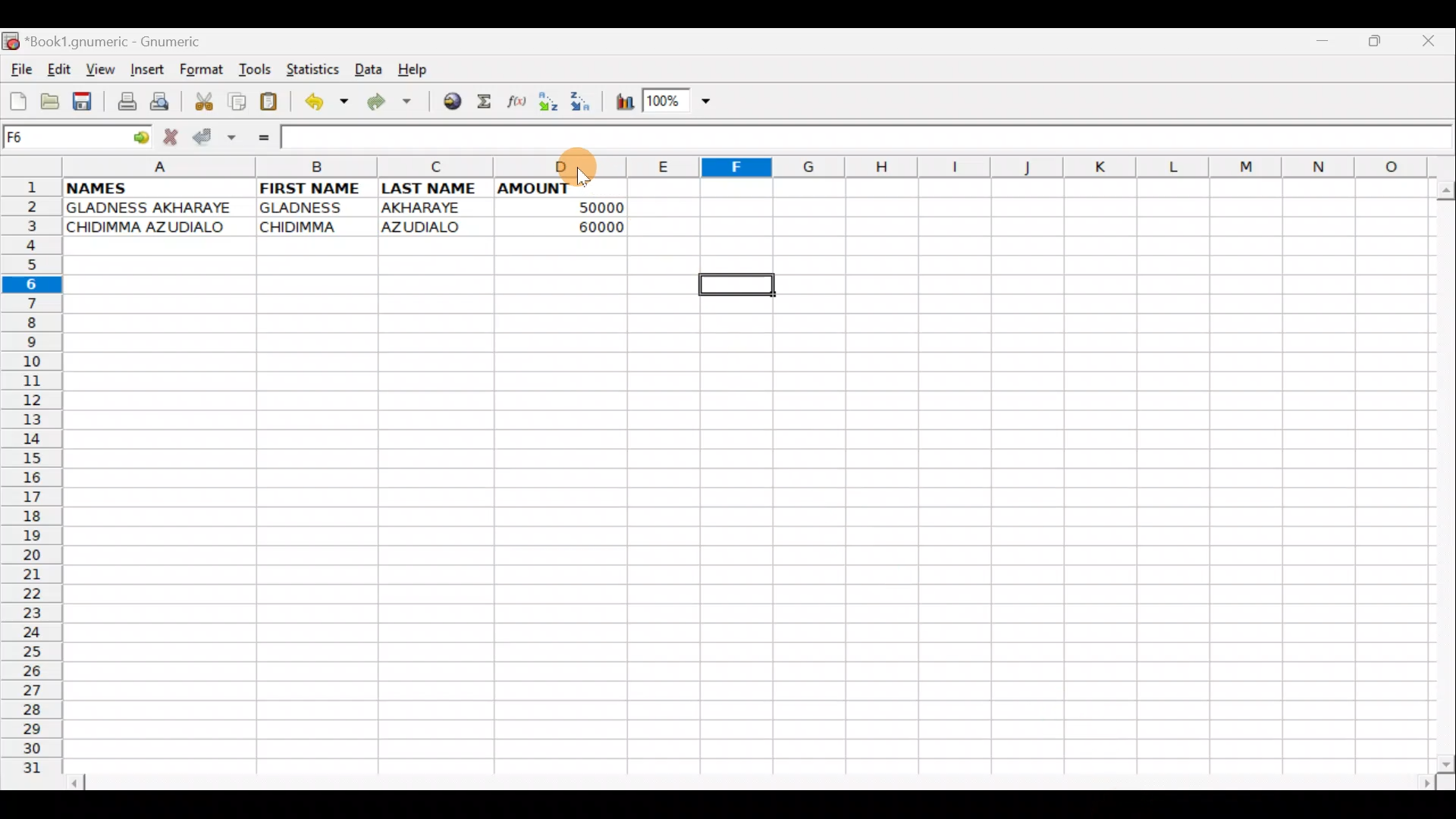  I want to click on Open a file, so click(46, 104).